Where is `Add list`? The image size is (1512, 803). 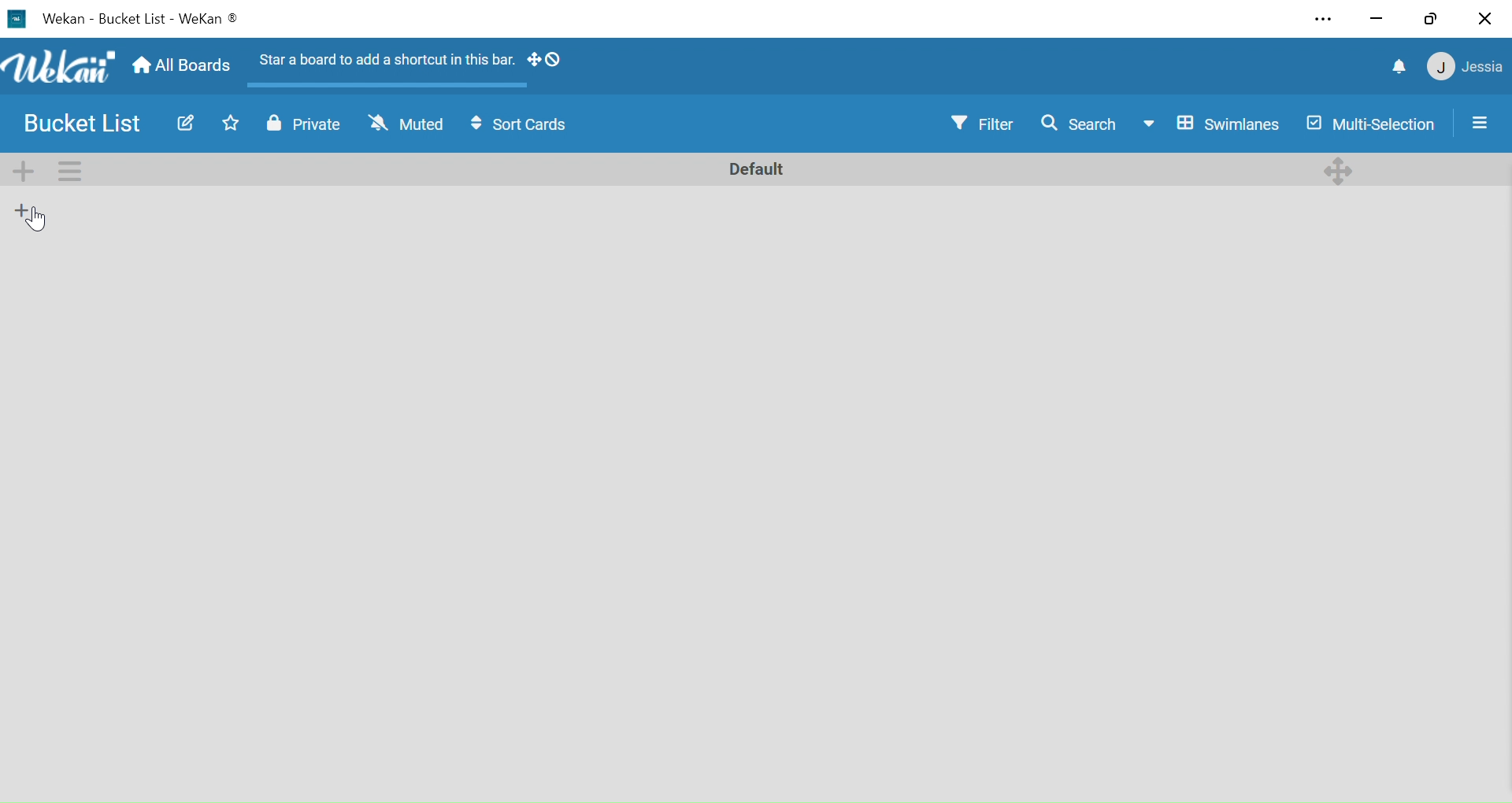 Add list is located at coordinates (23, 209).